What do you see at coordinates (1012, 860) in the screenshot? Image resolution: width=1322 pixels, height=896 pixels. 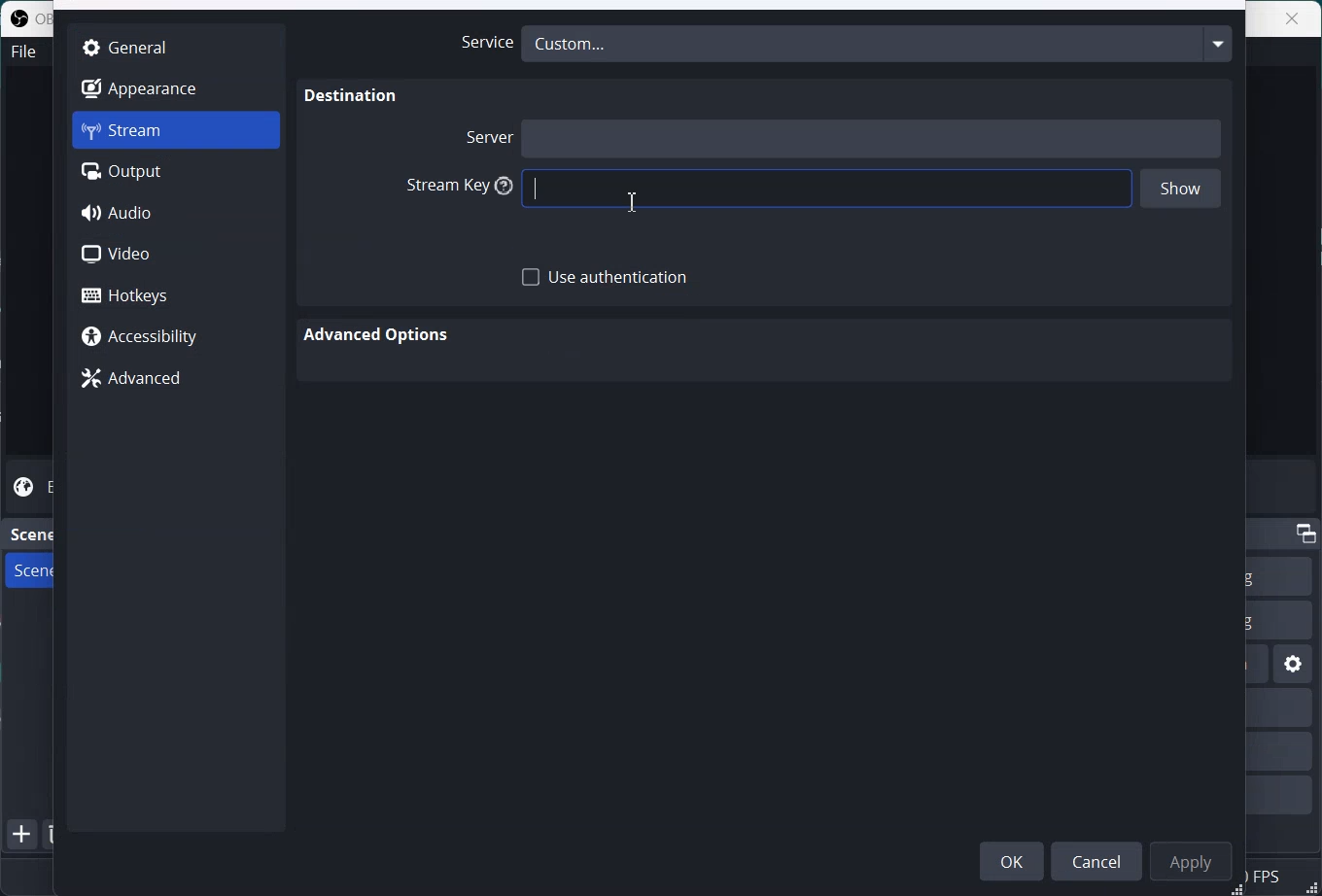 I see `OK` at bounding box center [1012, 860].